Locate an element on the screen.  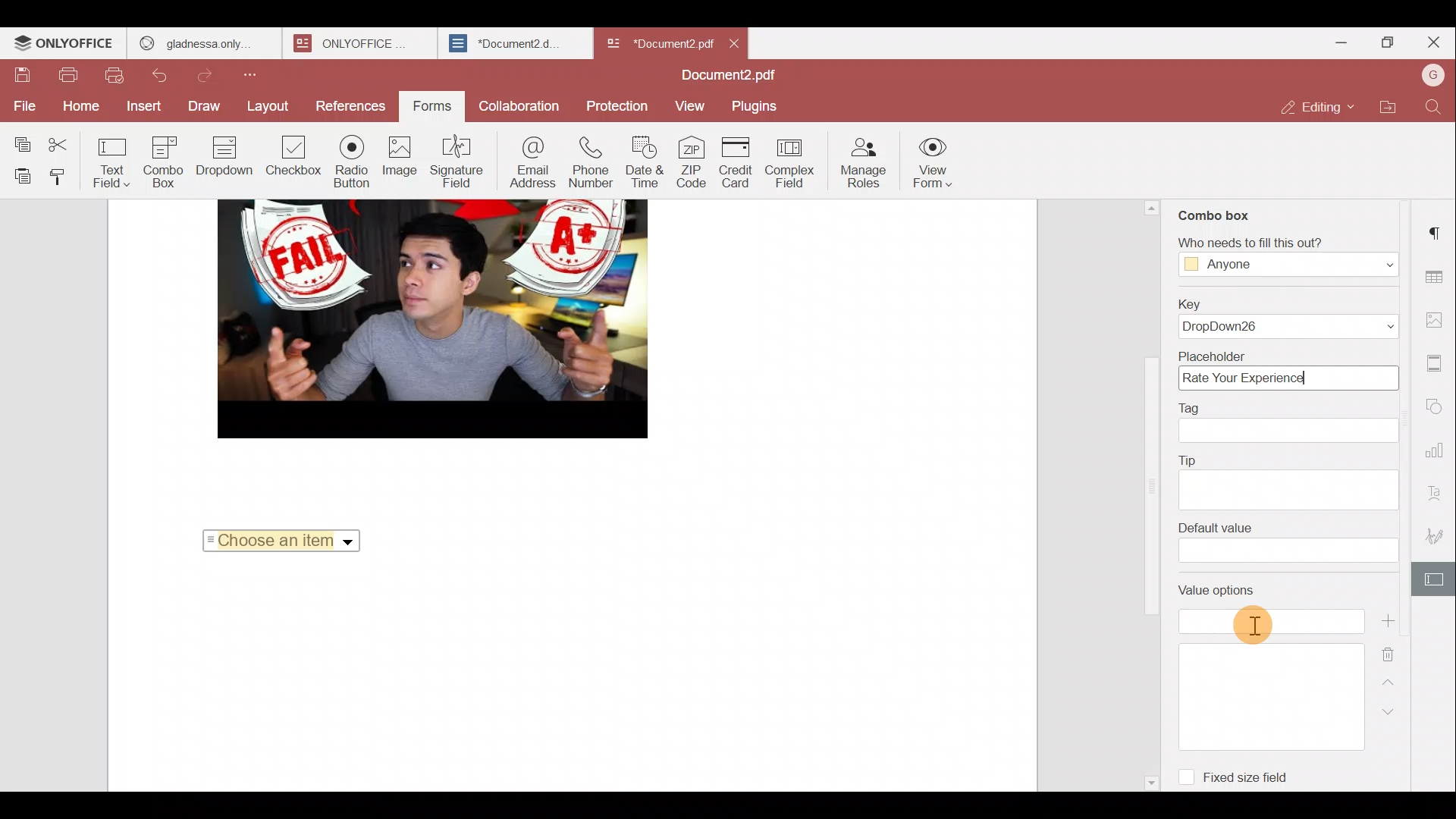
Date & time is located at coordinates (645, 165).